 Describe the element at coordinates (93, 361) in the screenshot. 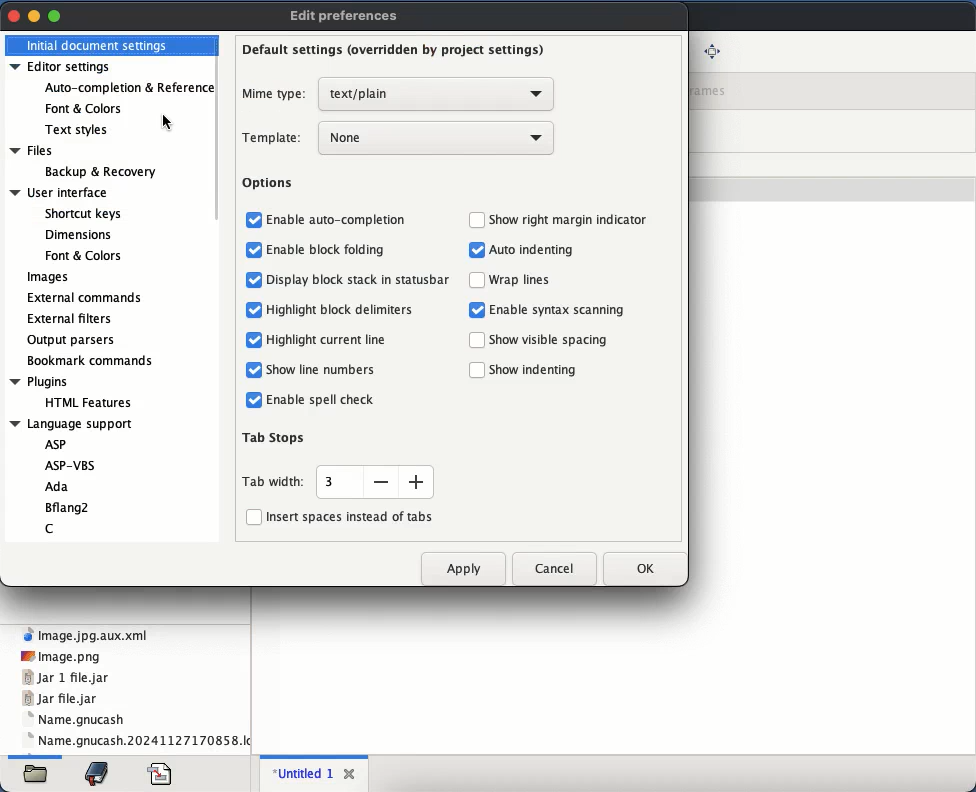

I see `bookmark commands` at that location.